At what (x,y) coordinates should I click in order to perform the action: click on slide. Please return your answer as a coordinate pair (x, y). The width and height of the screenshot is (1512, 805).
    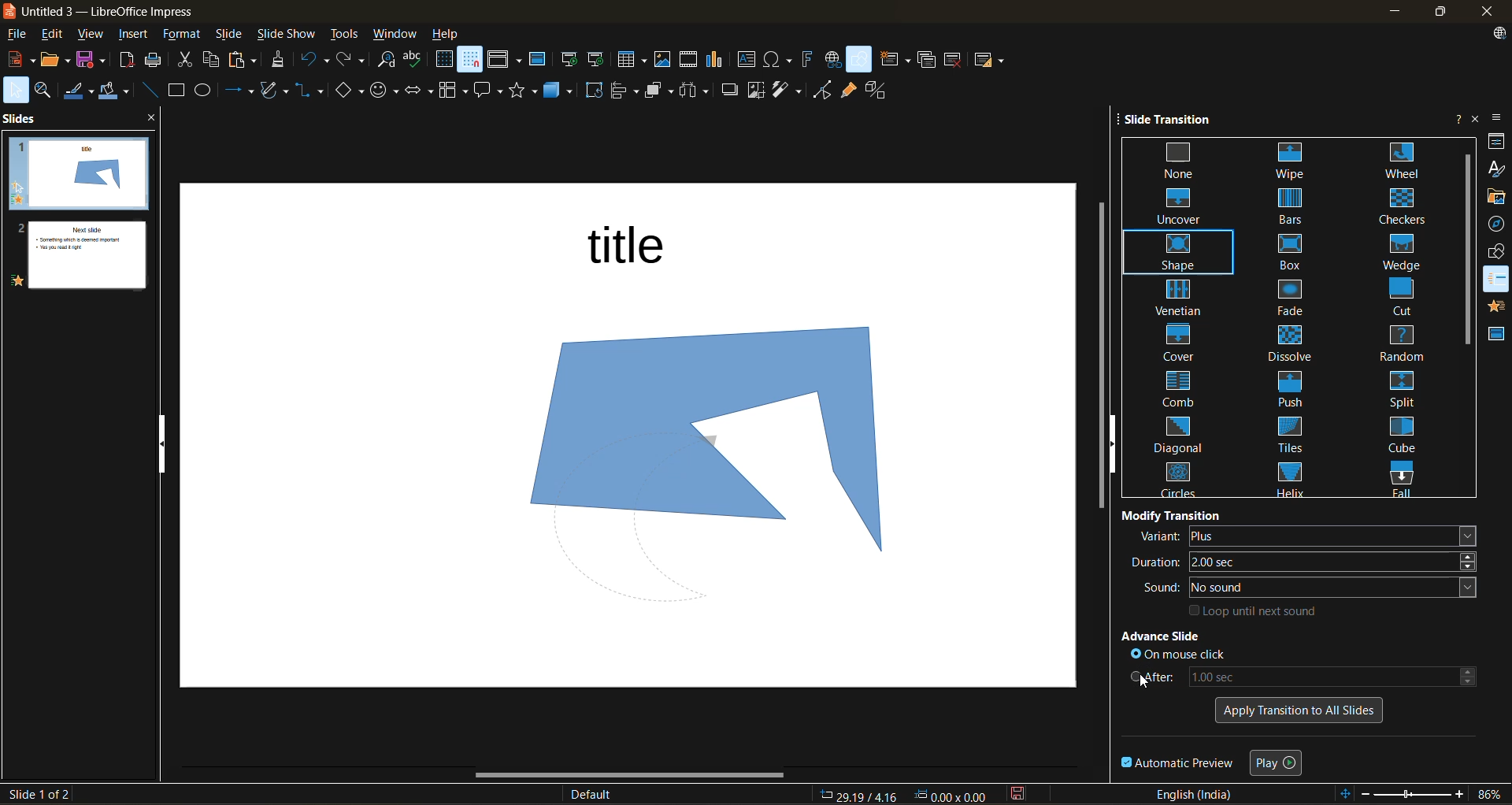
    Looking at the image, I should click on (231, 34).